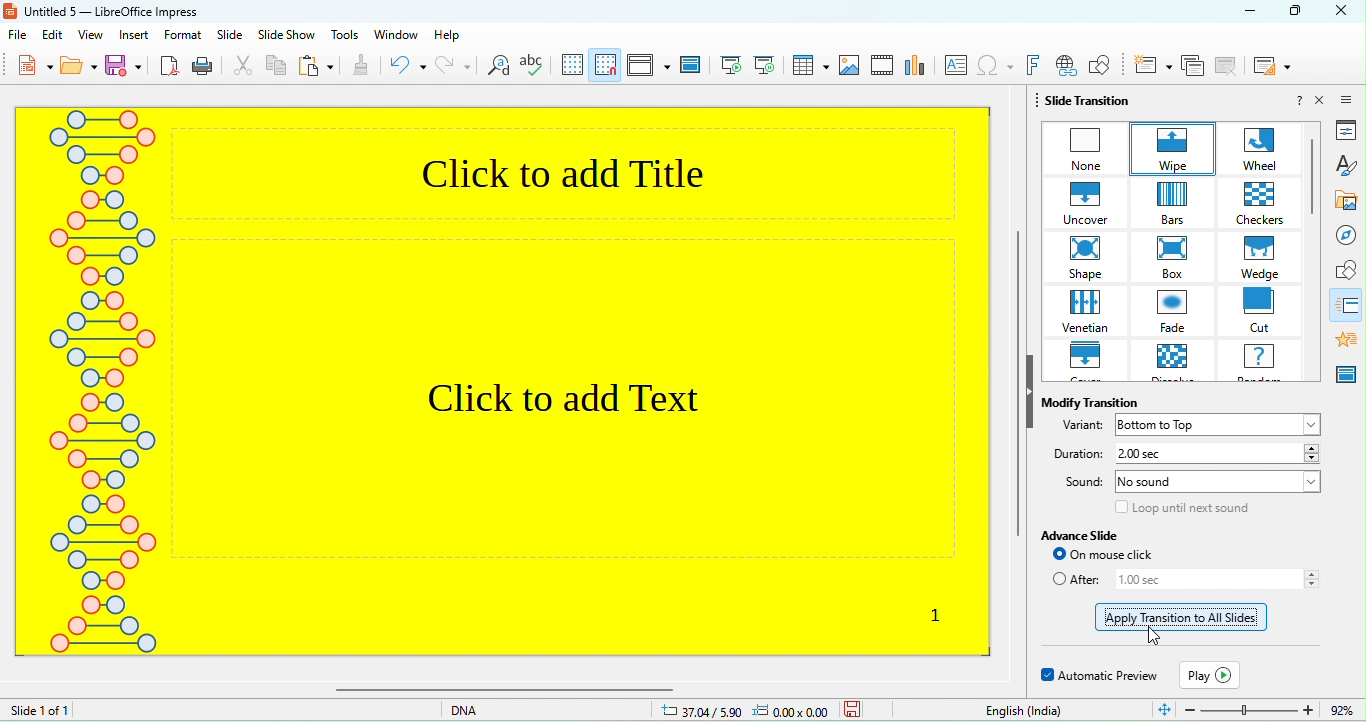 Image resolution: width=1366 pixels, height=722 pixels. What do you see at coordinates (1077, 454) in the screenshot?
I see `duration` at bounding box center [1077, 454].